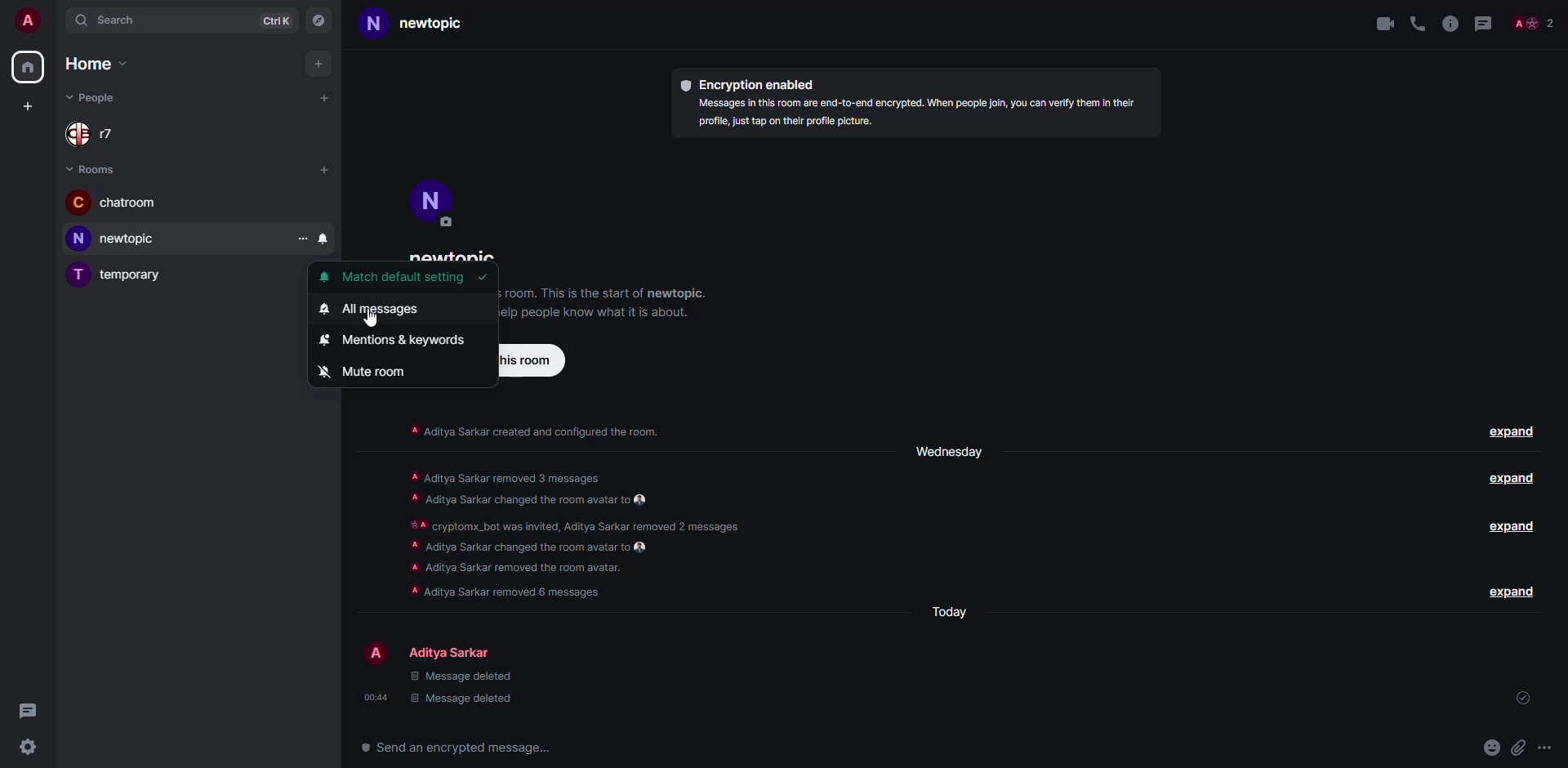  What do you see at coordinates (1450, 23) in the screenshot?
I see `info` at bounding box center [1450, 23].